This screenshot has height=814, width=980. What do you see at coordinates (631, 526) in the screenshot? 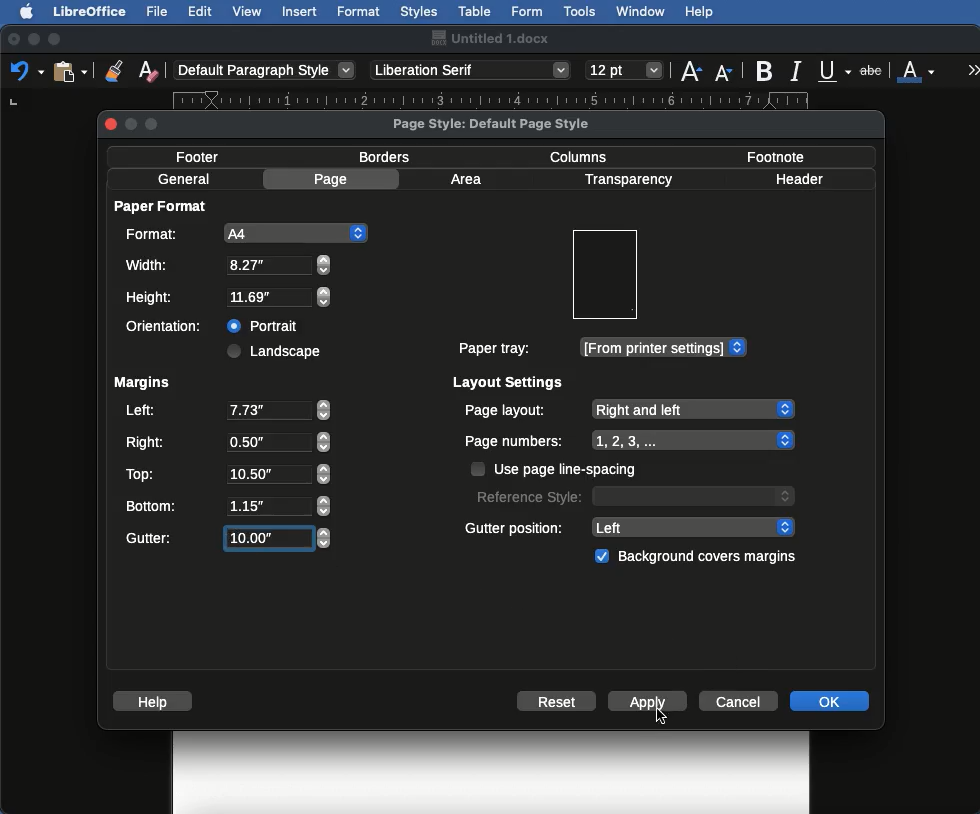
I see `Gutter position` at bounding box center [631, 526].